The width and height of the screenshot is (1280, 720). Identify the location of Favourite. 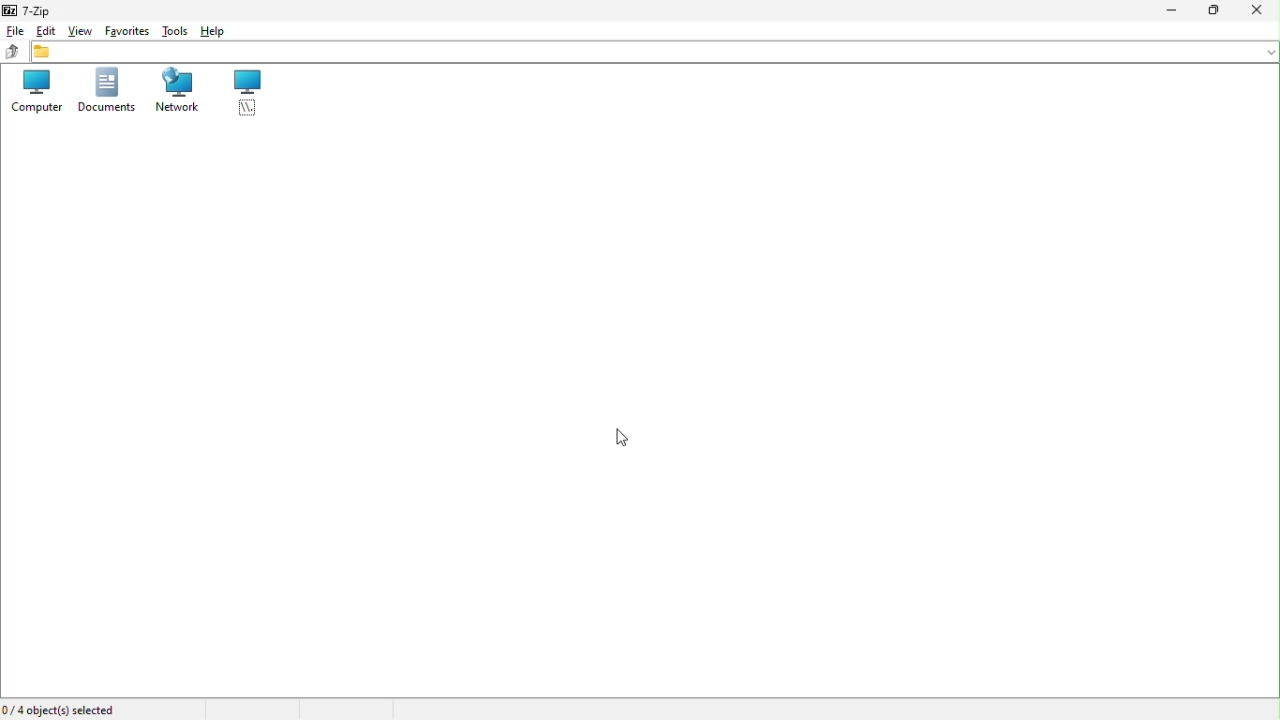
(127, 30).